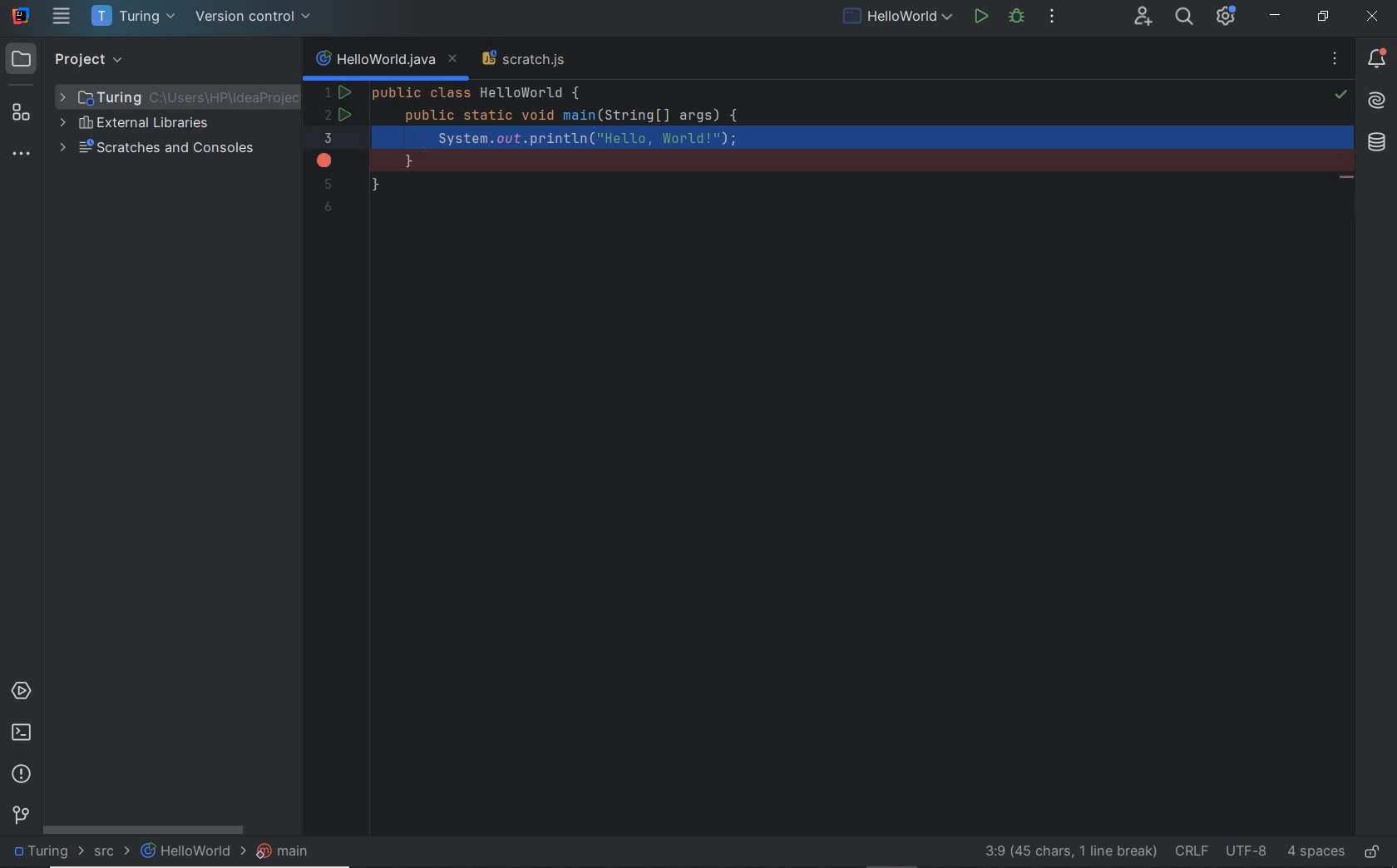 The width and height of the screenshot is (1397, 868). What do you see at coordinates (109, 852) in the screenshot?
I see `src` at bounding box center [109, 852].